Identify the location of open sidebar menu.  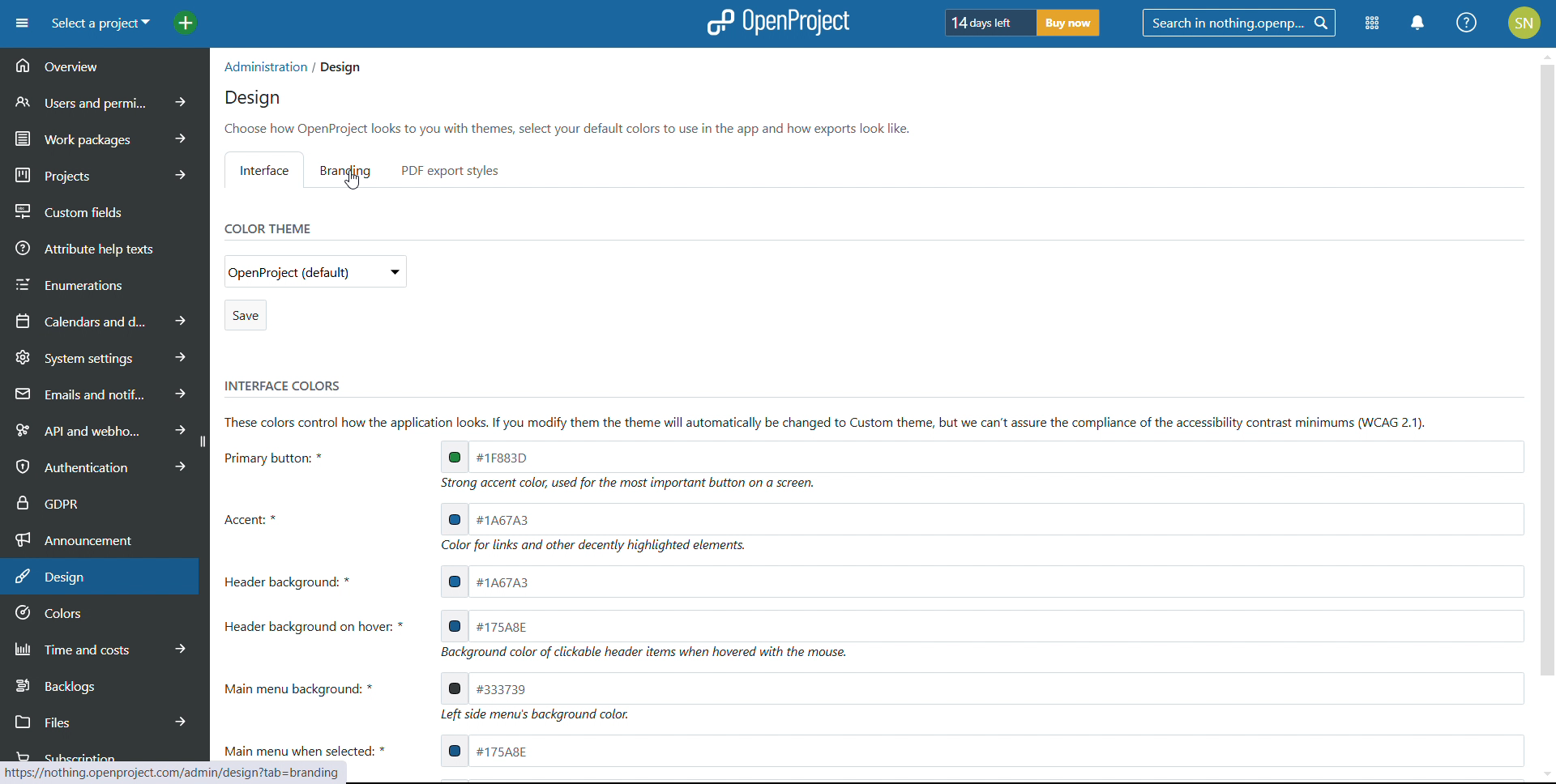
(22, 23).